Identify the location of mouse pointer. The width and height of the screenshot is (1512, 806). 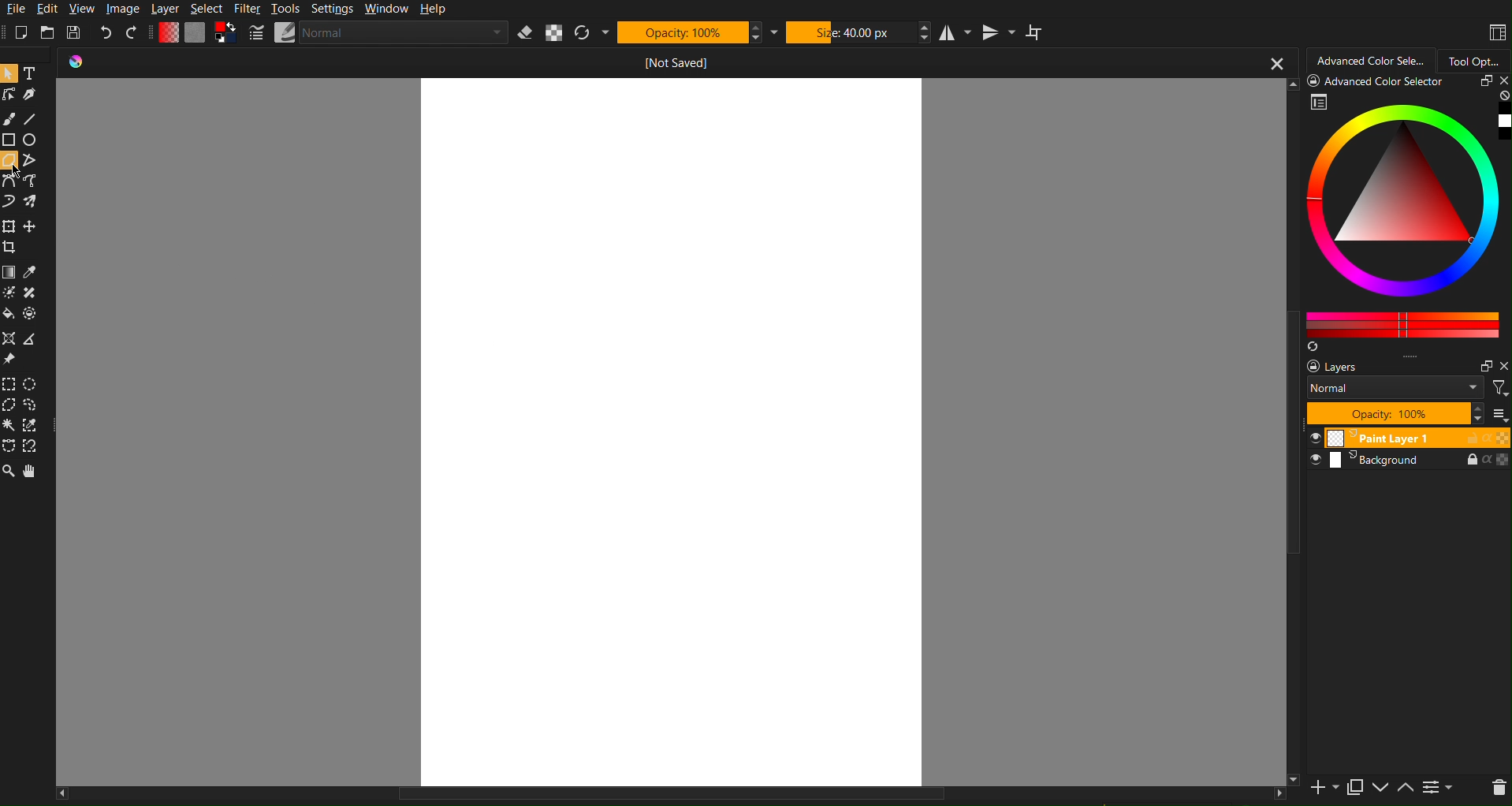
(19, 170).